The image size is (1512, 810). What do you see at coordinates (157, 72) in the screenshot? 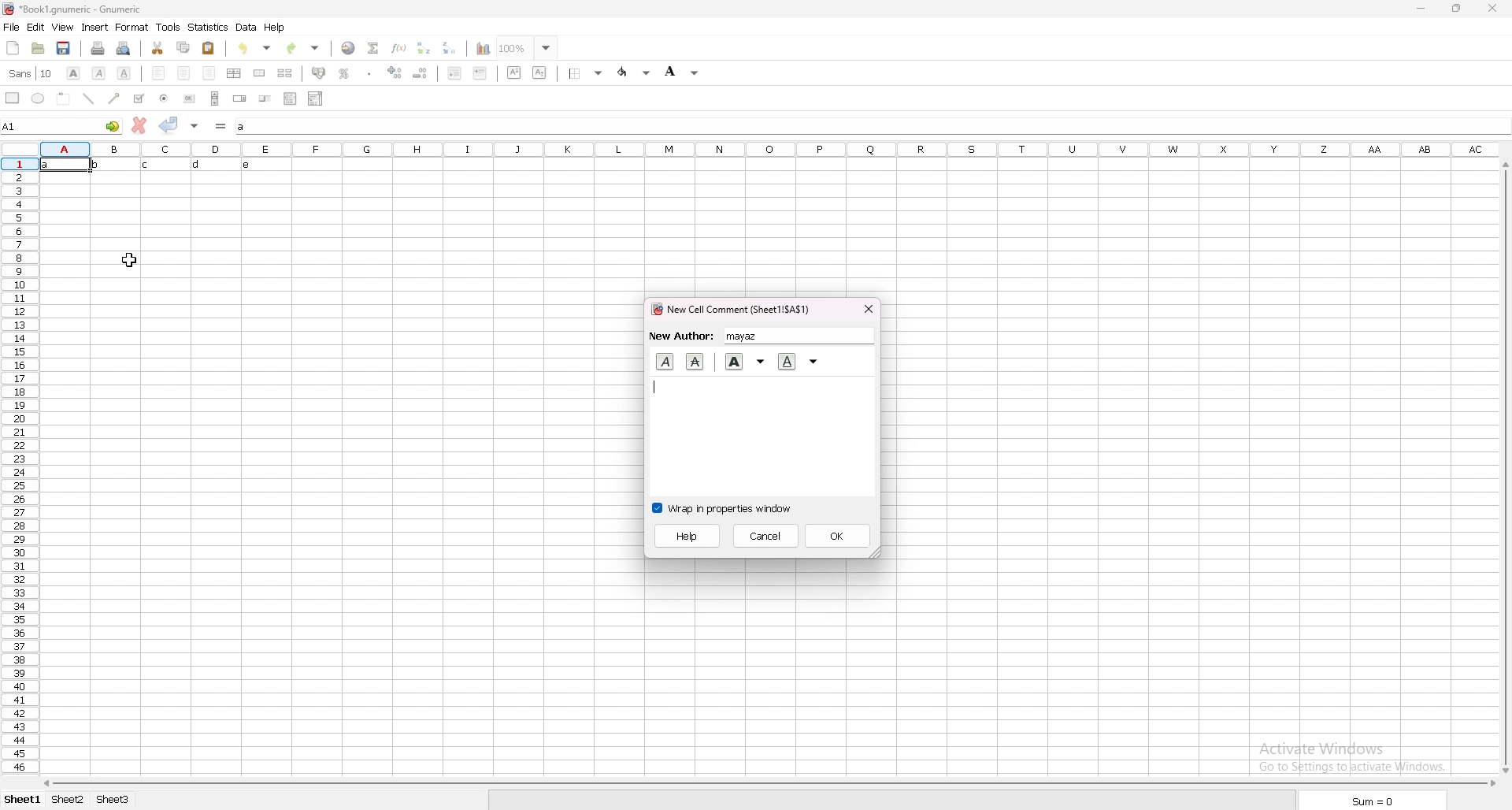
I see `left align` at bounding box center [157, 72].